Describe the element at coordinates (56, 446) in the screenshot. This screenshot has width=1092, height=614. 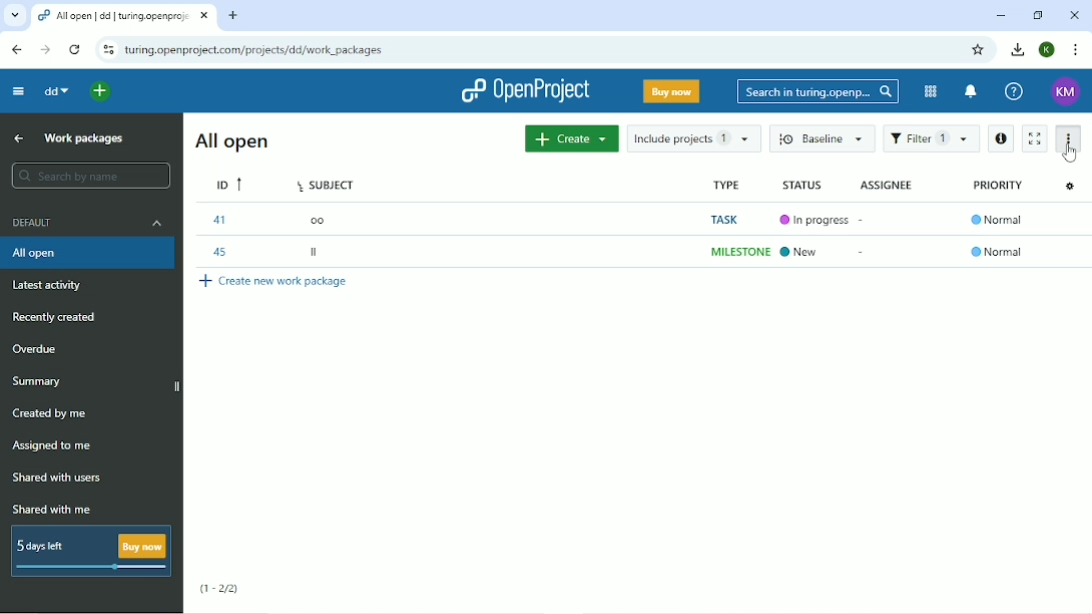
I see `Assigned to me` at that location.